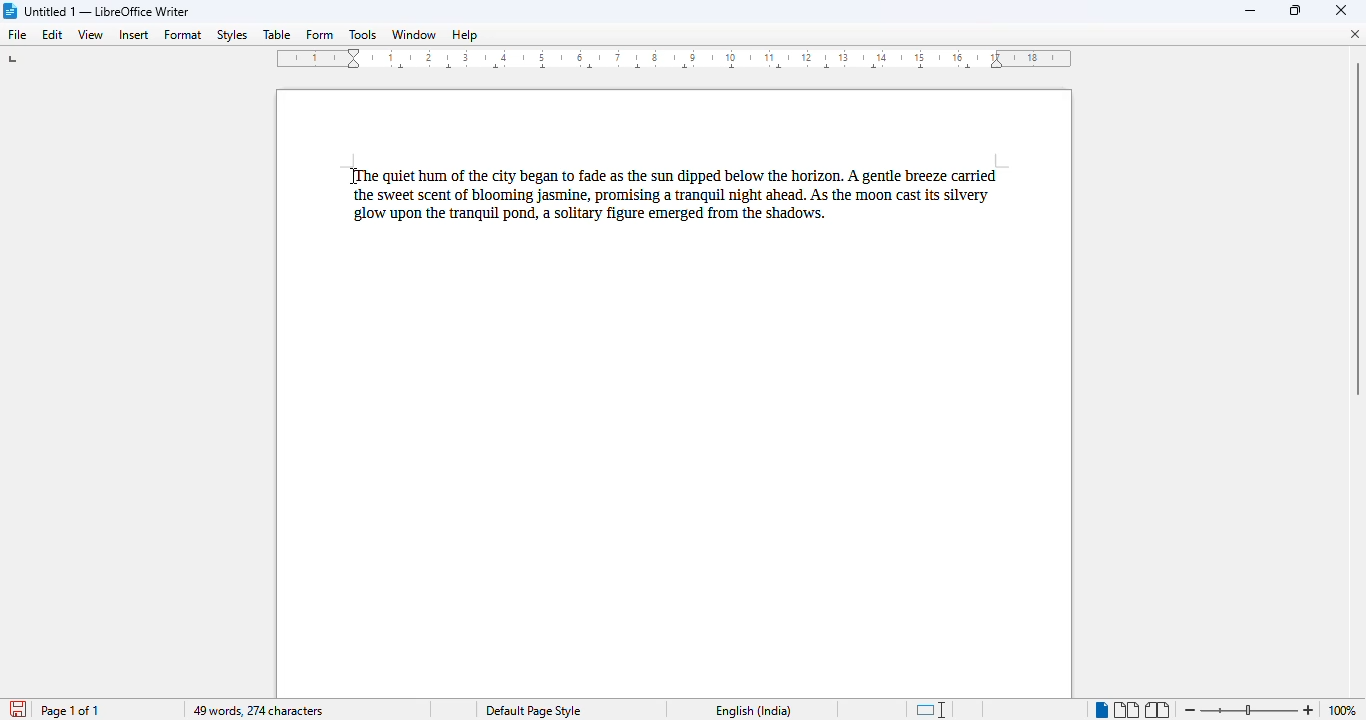  I want to click on book view, so click(1158, 710).